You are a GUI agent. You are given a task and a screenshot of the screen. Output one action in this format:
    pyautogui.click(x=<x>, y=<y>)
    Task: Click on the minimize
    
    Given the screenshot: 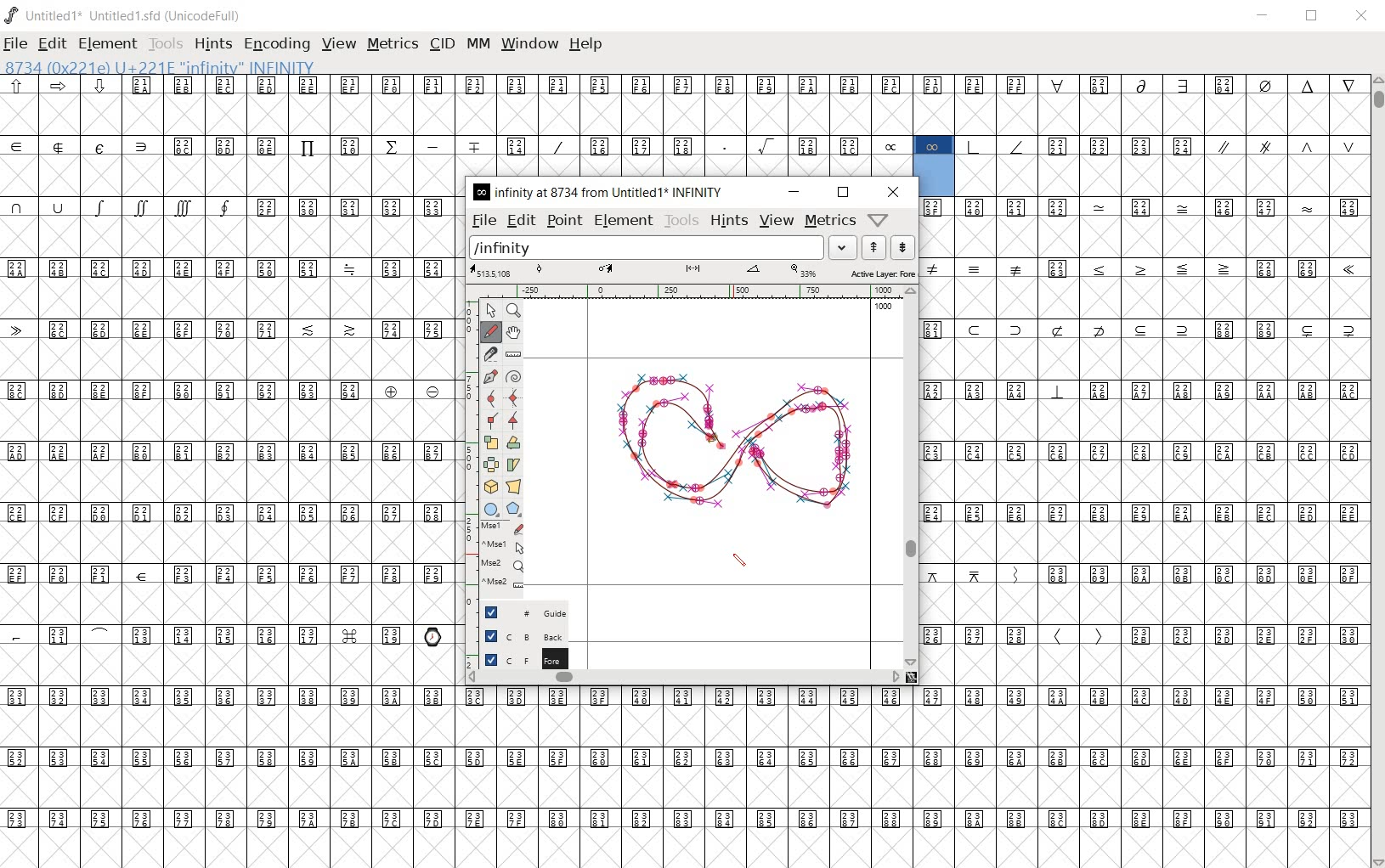 What is the action you would take?
    pyautogui.click(x=794, y=192)
    